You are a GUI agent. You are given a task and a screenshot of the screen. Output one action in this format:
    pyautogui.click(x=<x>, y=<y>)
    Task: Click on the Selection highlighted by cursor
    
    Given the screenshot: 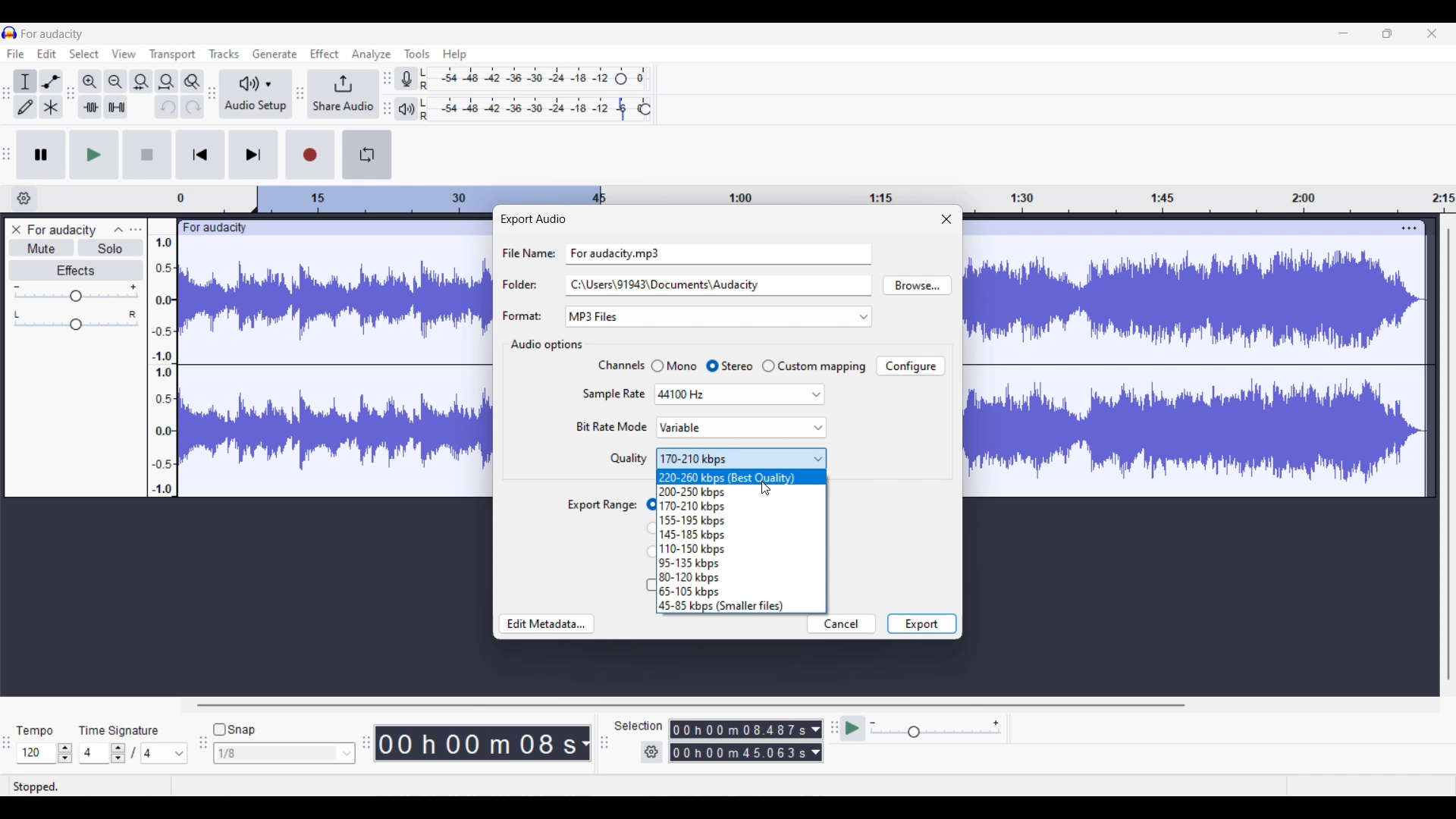 What is the action you would take?
    pyautogui.click(x=813, y=477)
    